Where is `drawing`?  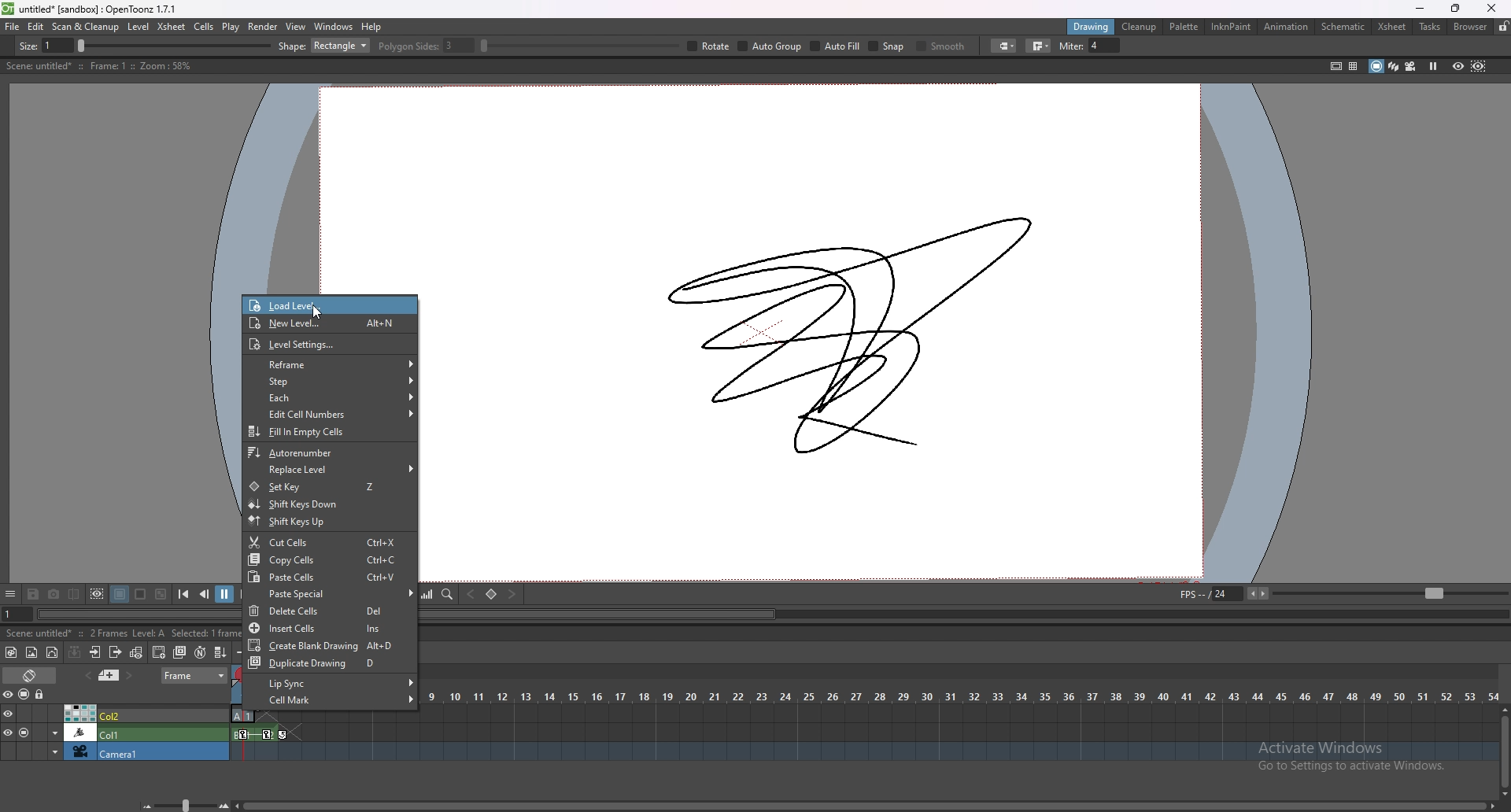
drawing is located at coordinates (866, 329).